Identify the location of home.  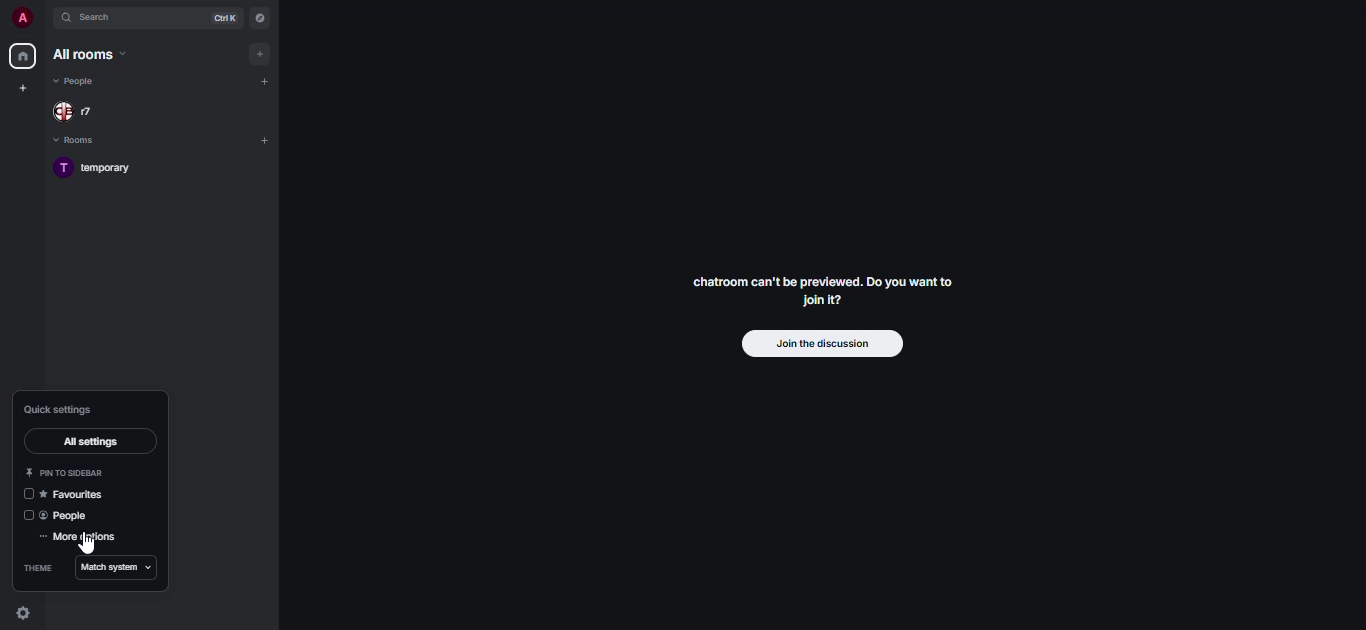
(23, 56).